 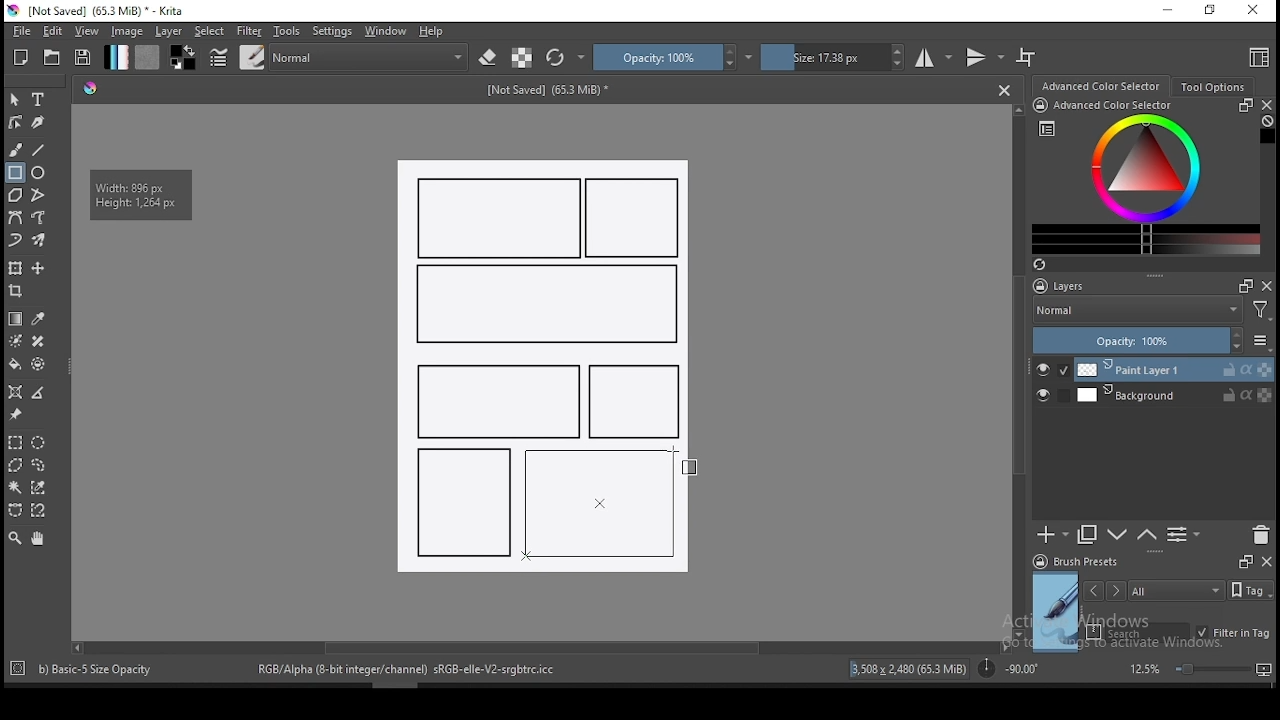 What do you see at coordinates (83, 58) in the screenshot?
I see `save` at bounding box center [83, 58].